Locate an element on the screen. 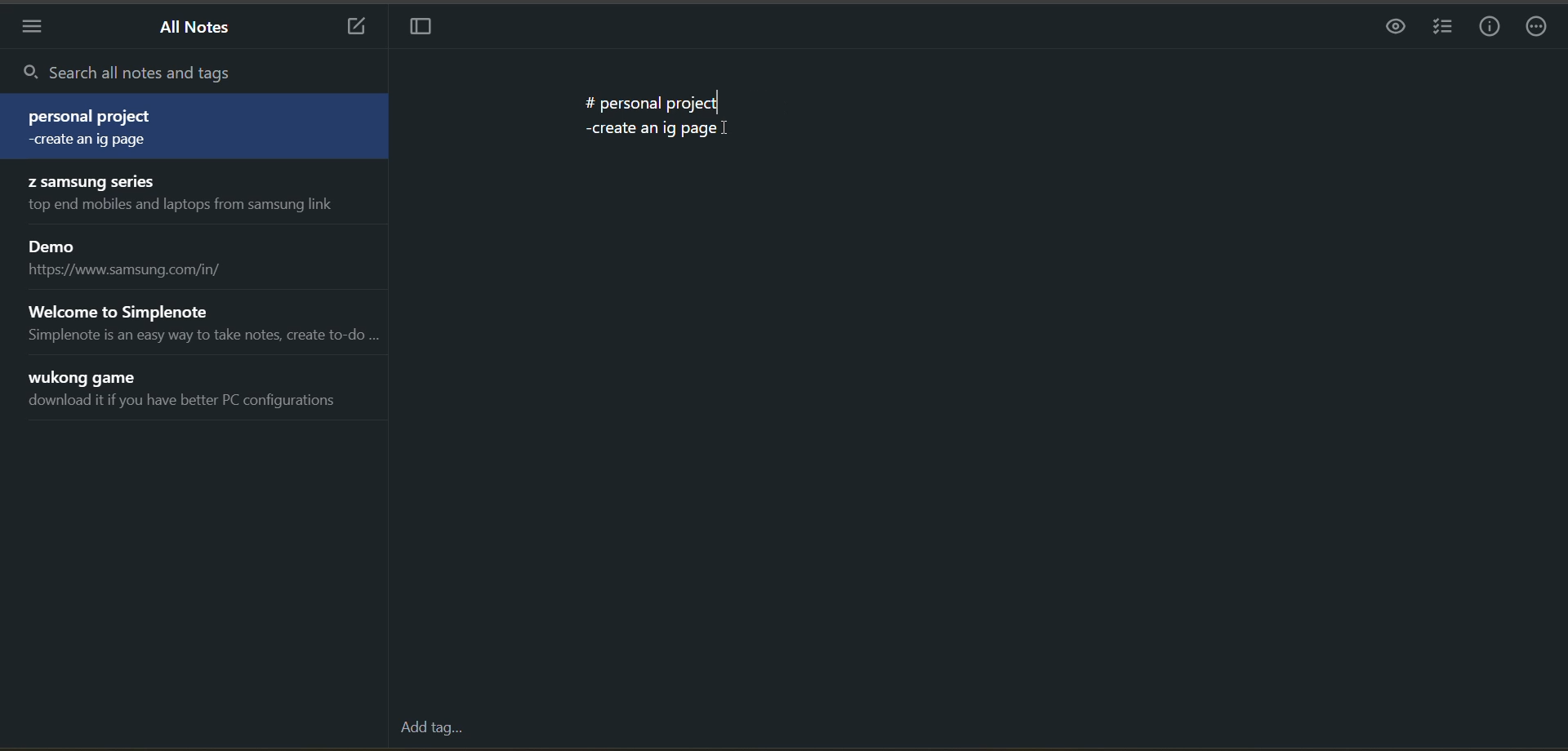  search is located at coordinates (191, 71).